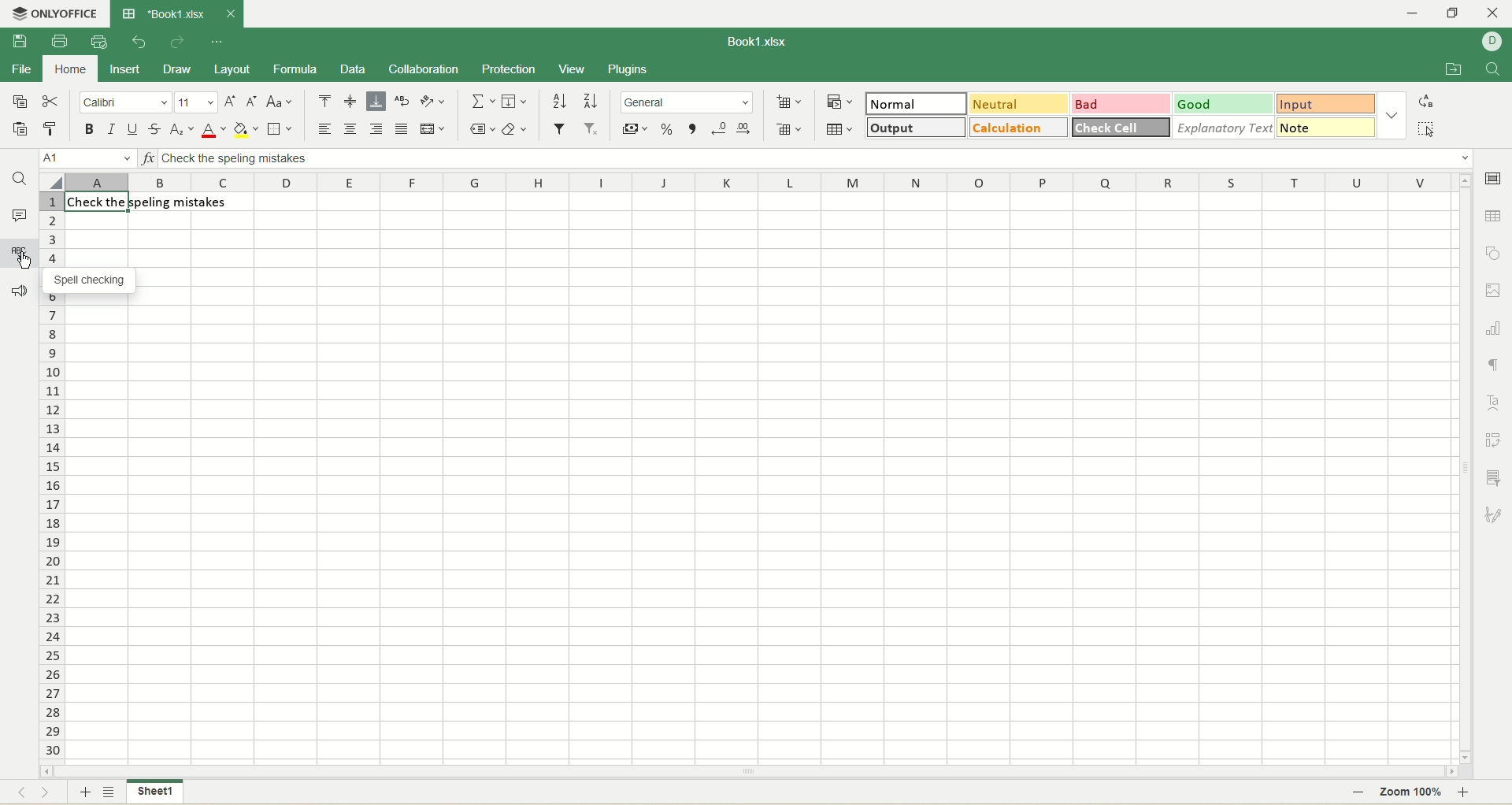 The height and width of the screenshot is (805, 1512). Describe the element at coordinates (1497, 363) in the screenshot. I see `paragraph settings` at that location.